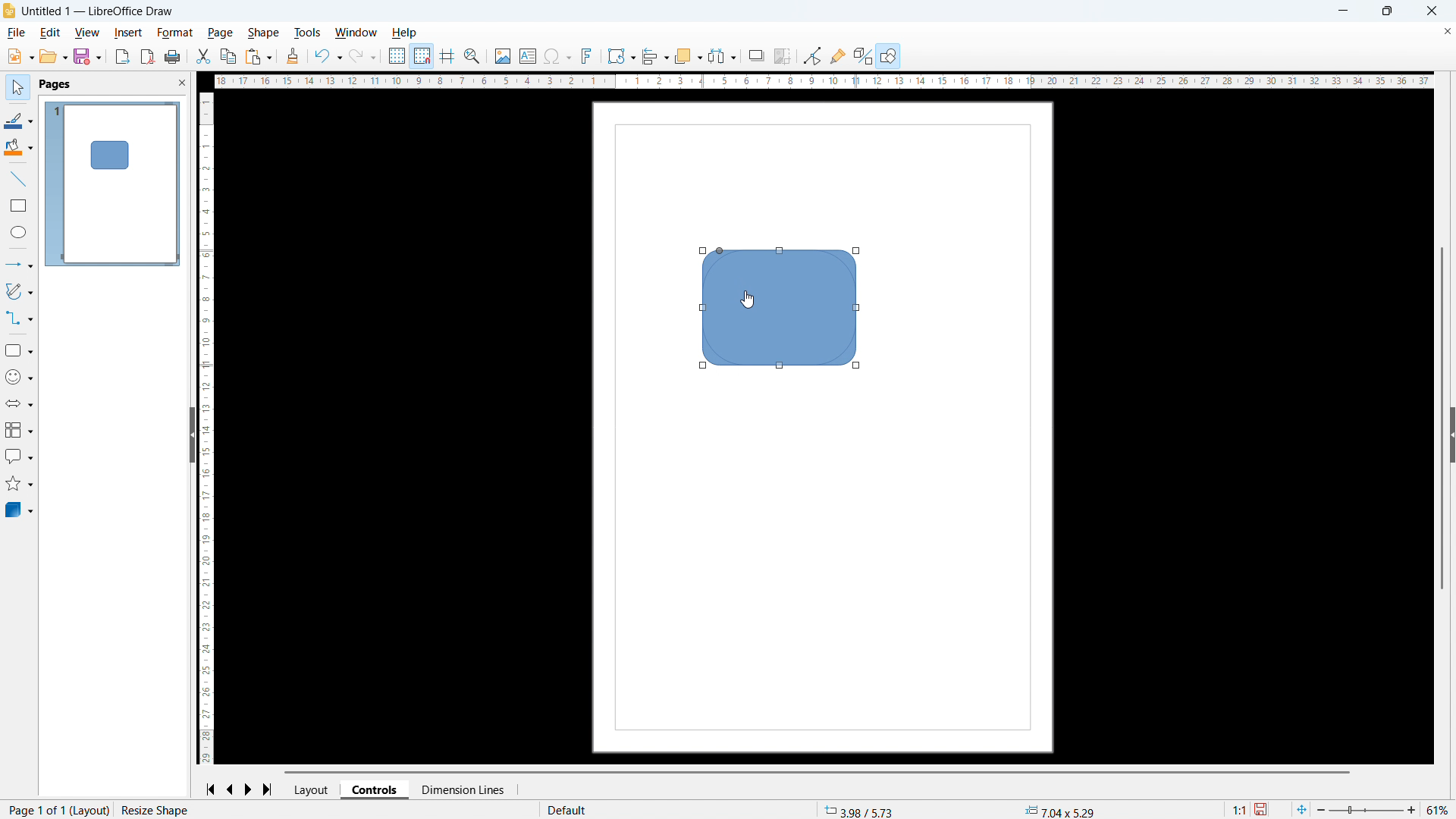 The image size is (1456, 819). Describe the element at coordinates (621, 55) in the screenshot. I see `Transformations ` at that location.